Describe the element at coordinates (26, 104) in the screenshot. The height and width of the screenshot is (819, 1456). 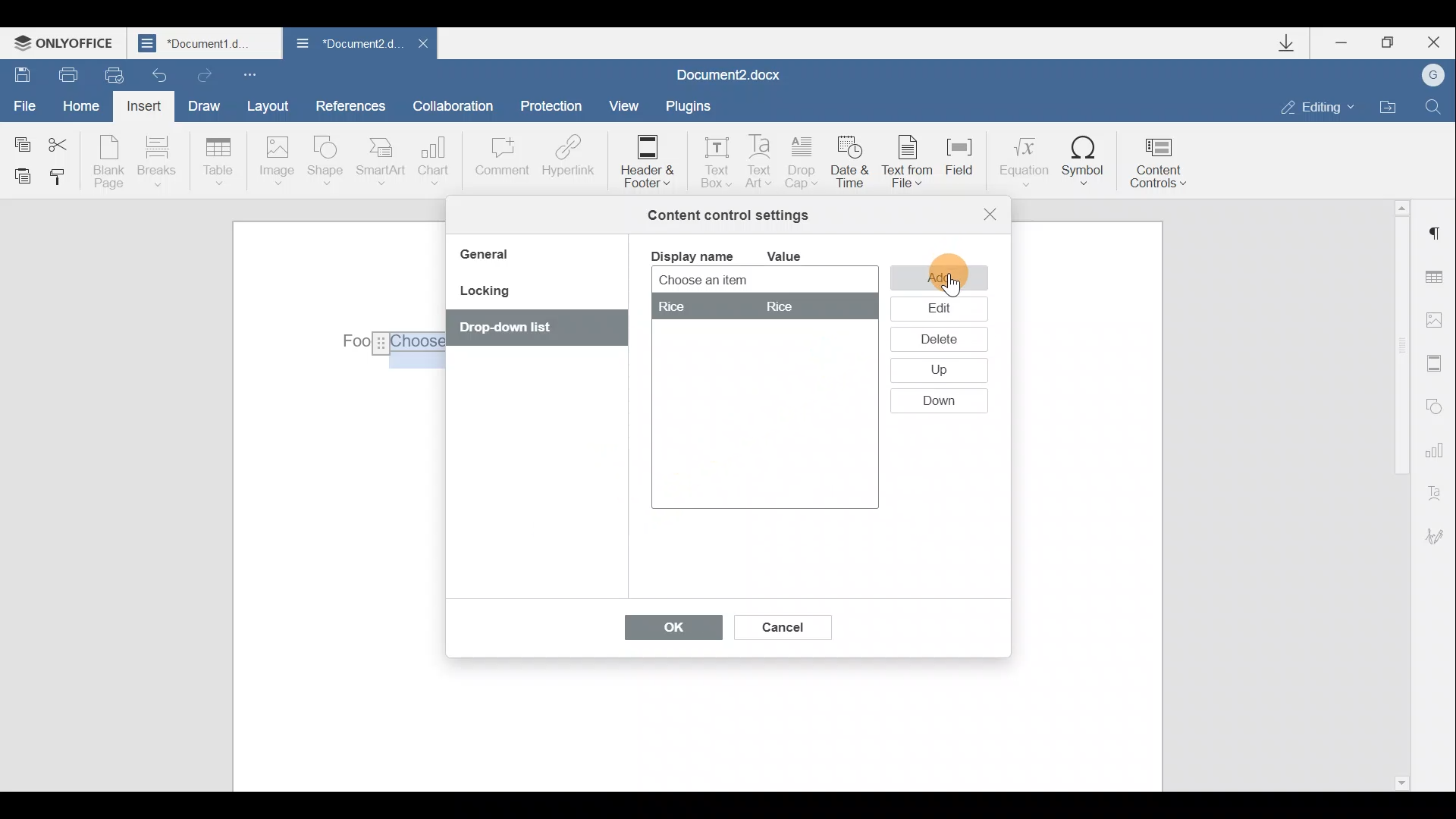
I see `File` at that location.